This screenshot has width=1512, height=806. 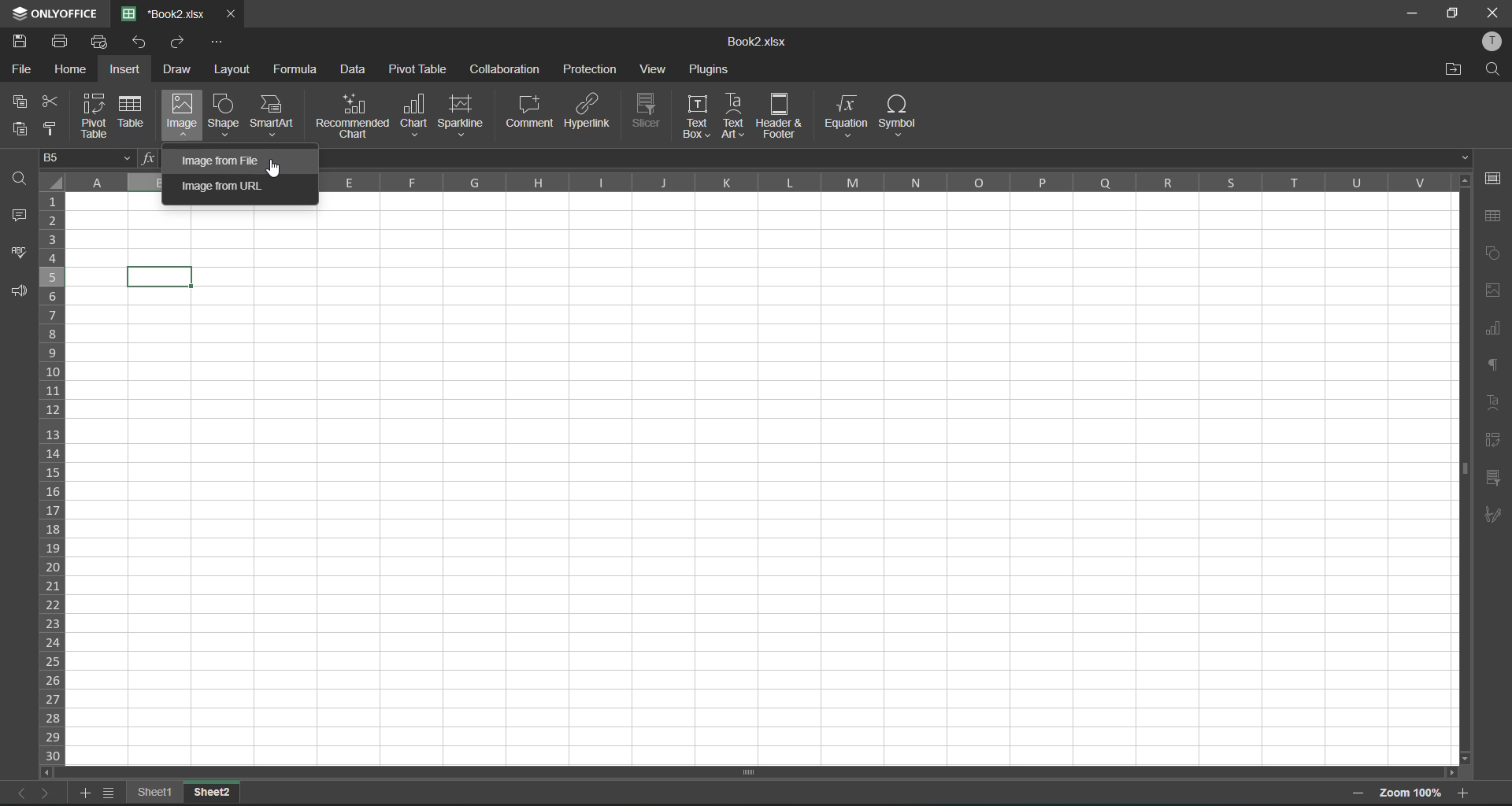 What do you see at coordinates (587, 112) in the screenshot?
I see `hyperlink` at bounding box center [587, 112].